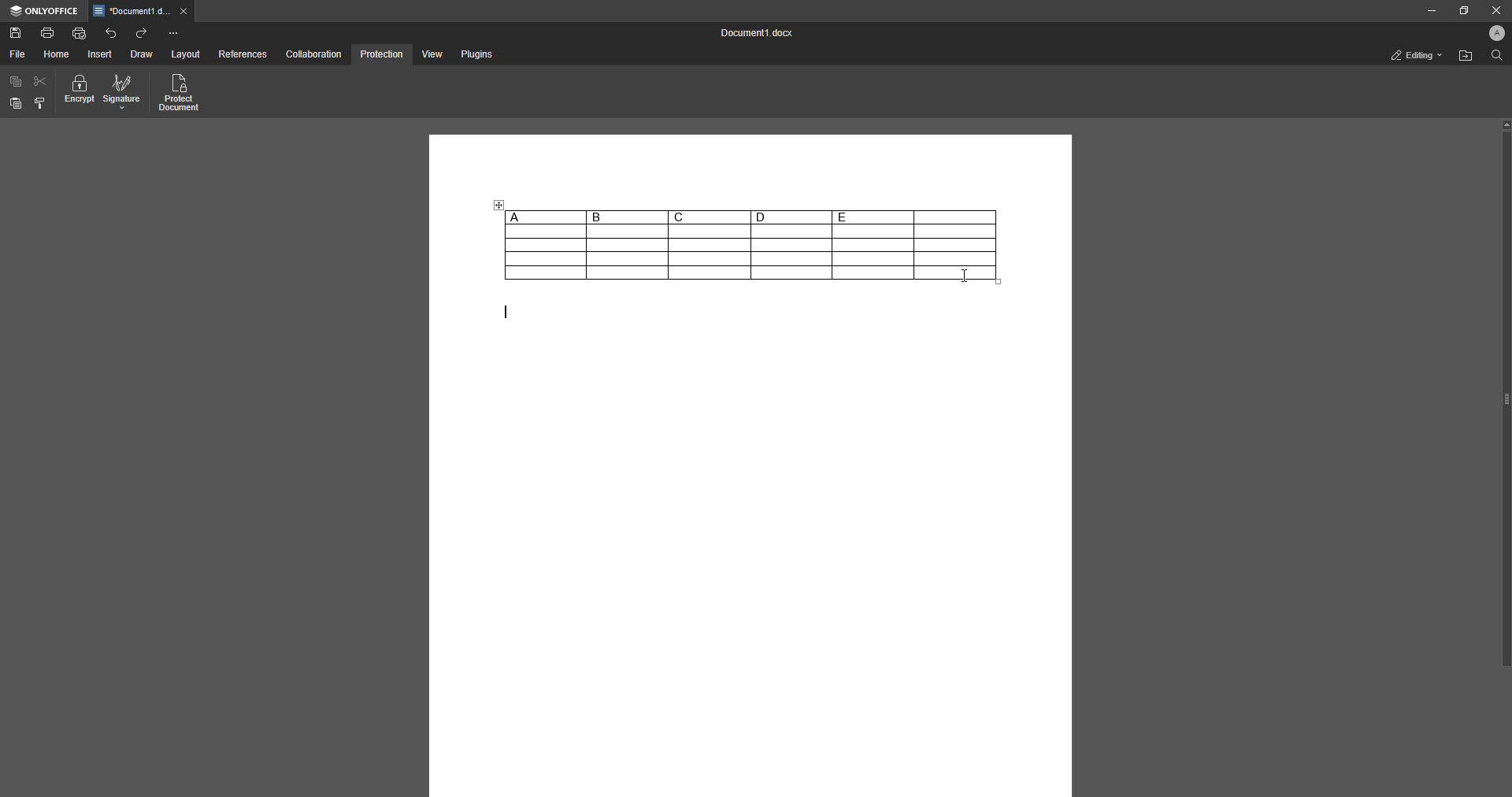  I want to click on Restore, so click(1460, 10).